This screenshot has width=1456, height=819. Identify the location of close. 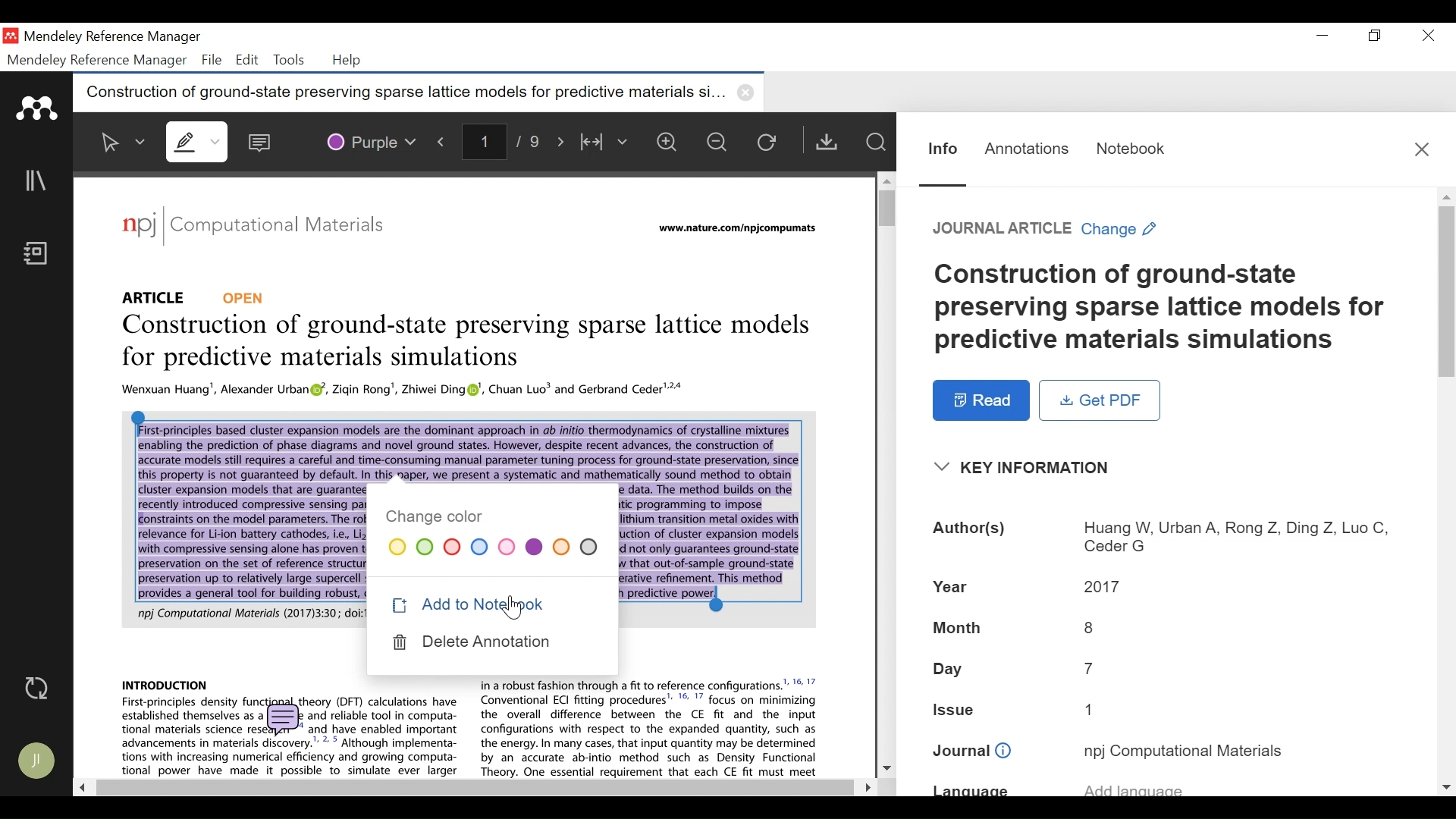
(748, 93).